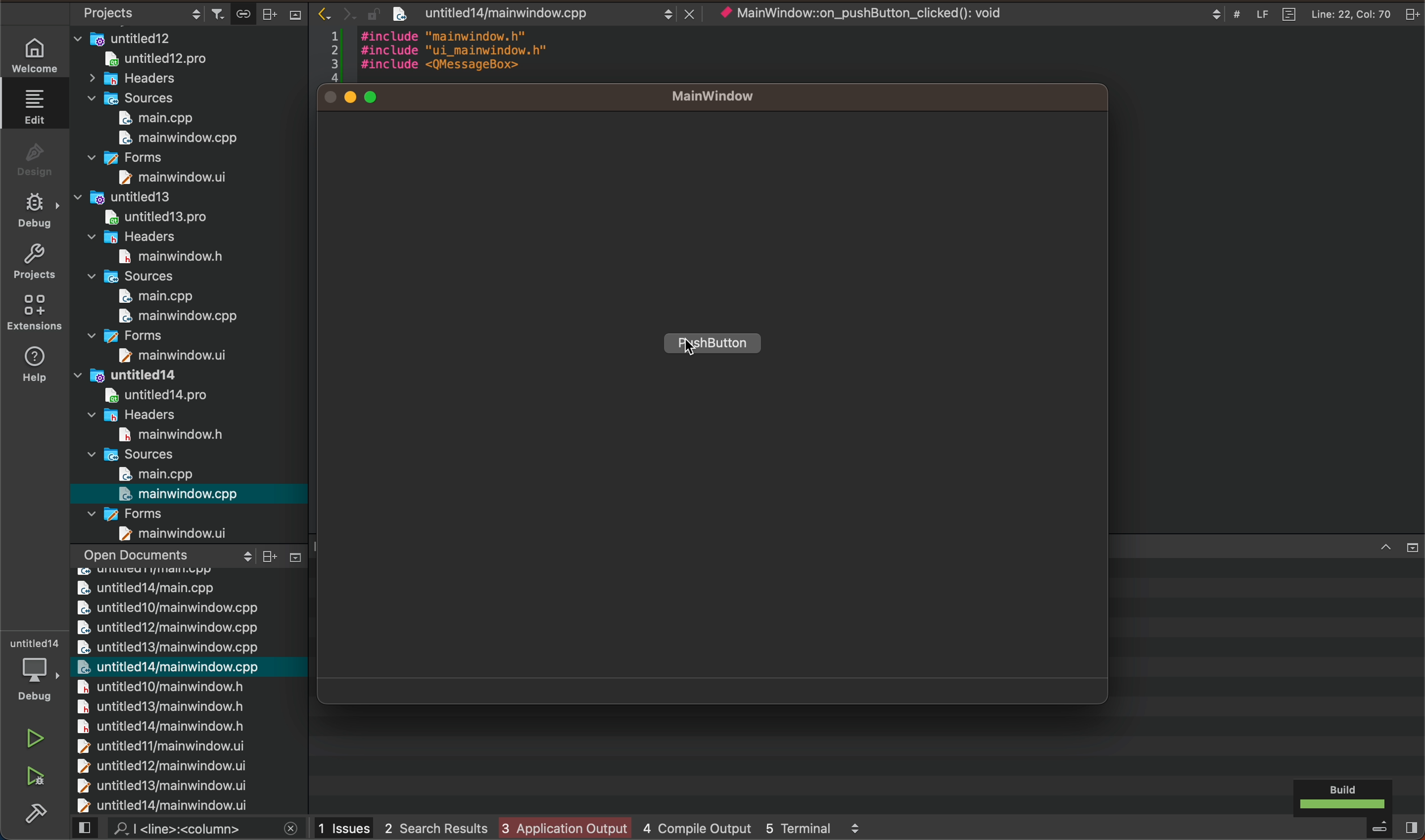 The image size is (1425, 840). Describe the element at coordinates (1307, 14) in the screenshot. I see `file logs` at that location.